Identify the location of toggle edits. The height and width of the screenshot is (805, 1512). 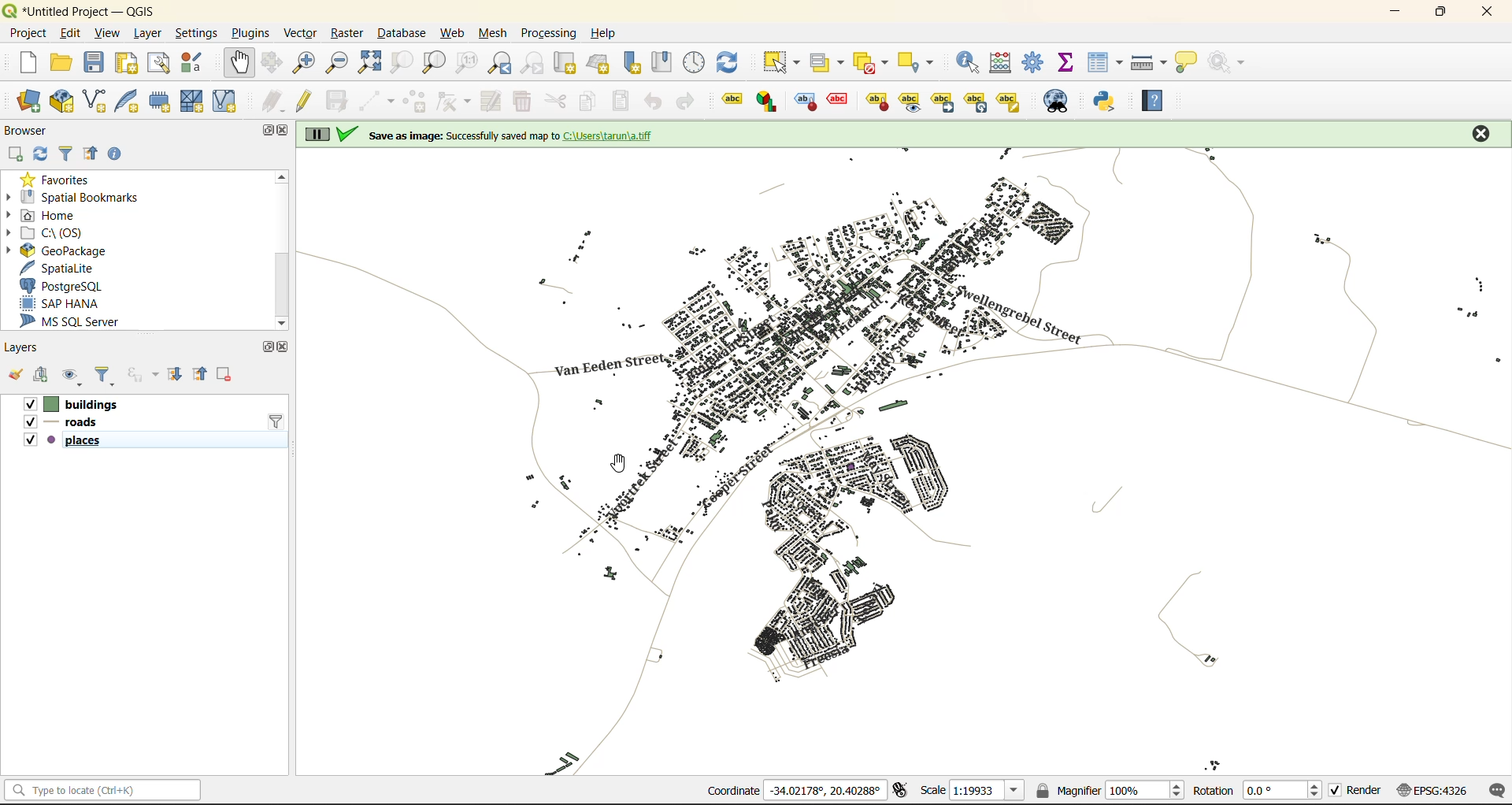
(303, 101).